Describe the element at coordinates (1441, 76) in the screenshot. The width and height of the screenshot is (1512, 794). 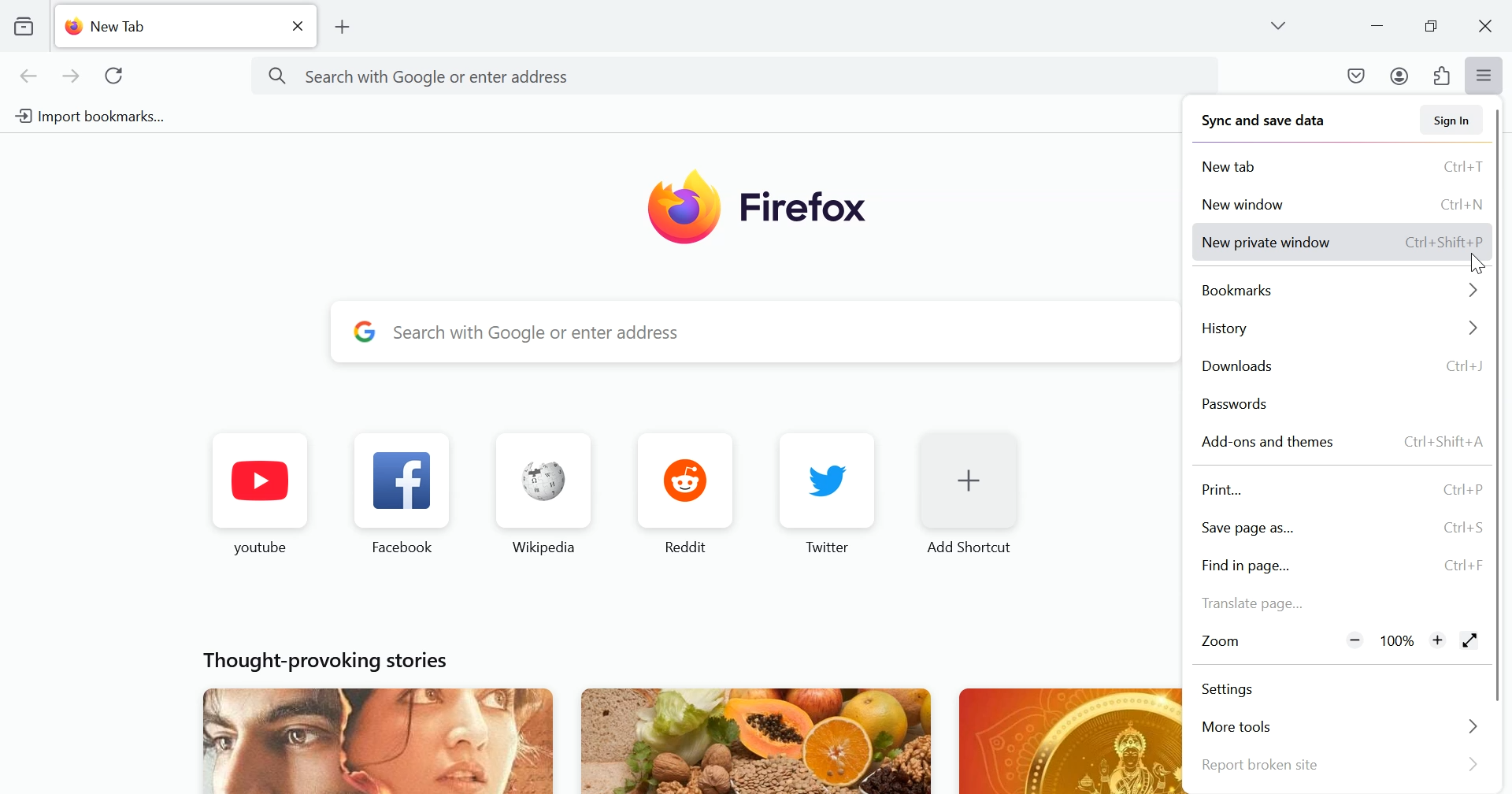
I see `Extensions` at that location.